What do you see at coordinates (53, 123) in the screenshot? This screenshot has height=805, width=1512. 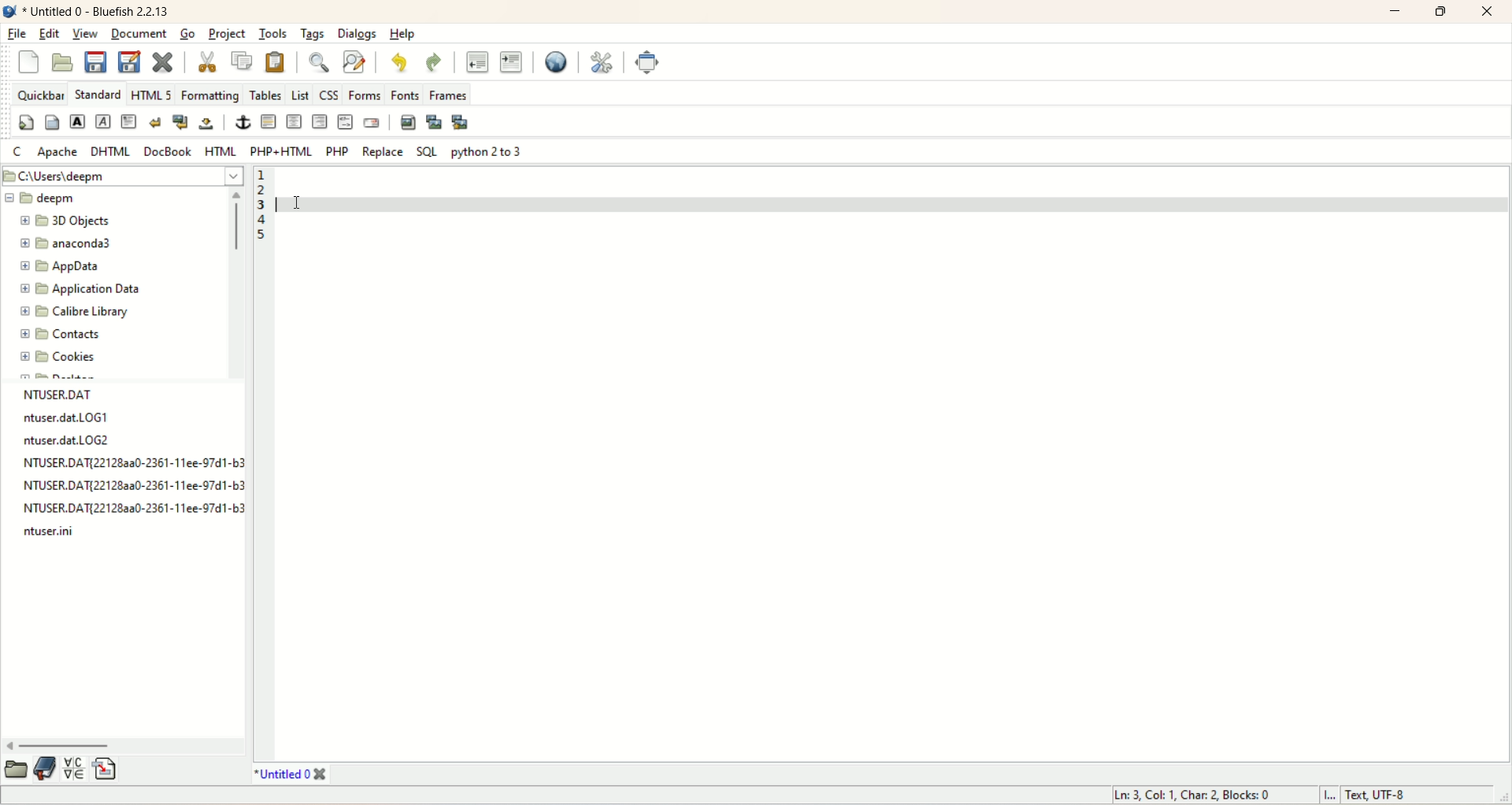 I see `body` at bounding box center [53, 123].